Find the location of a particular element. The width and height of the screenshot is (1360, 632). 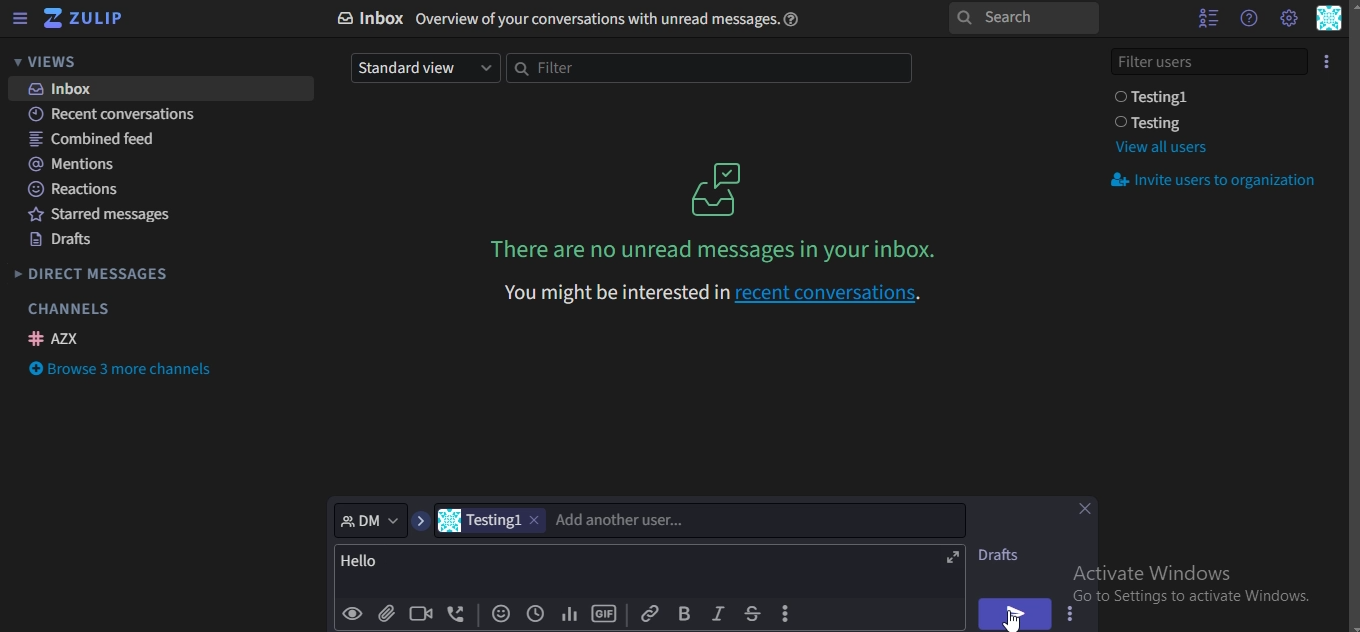

mentions is located at coordinates (76, 164).